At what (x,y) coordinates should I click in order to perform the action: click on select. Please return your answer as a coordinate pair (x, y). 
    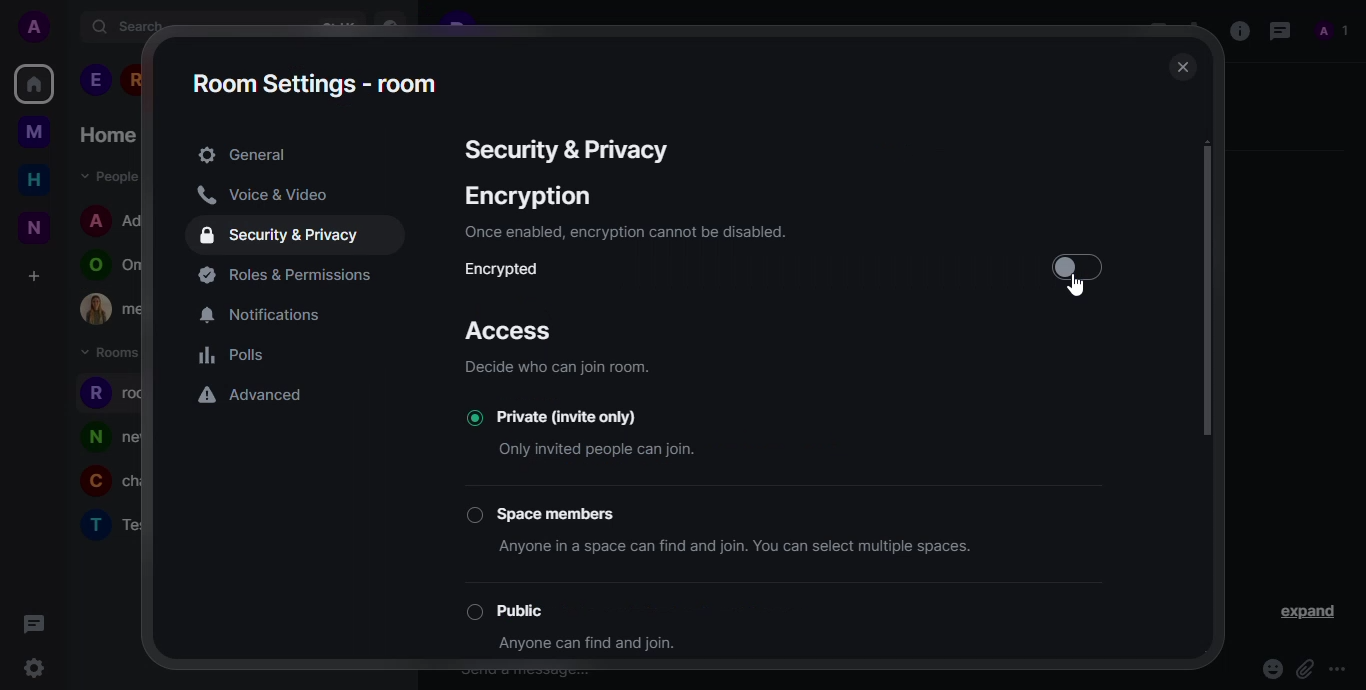
    Looking at the image, I should click on (471, 612).